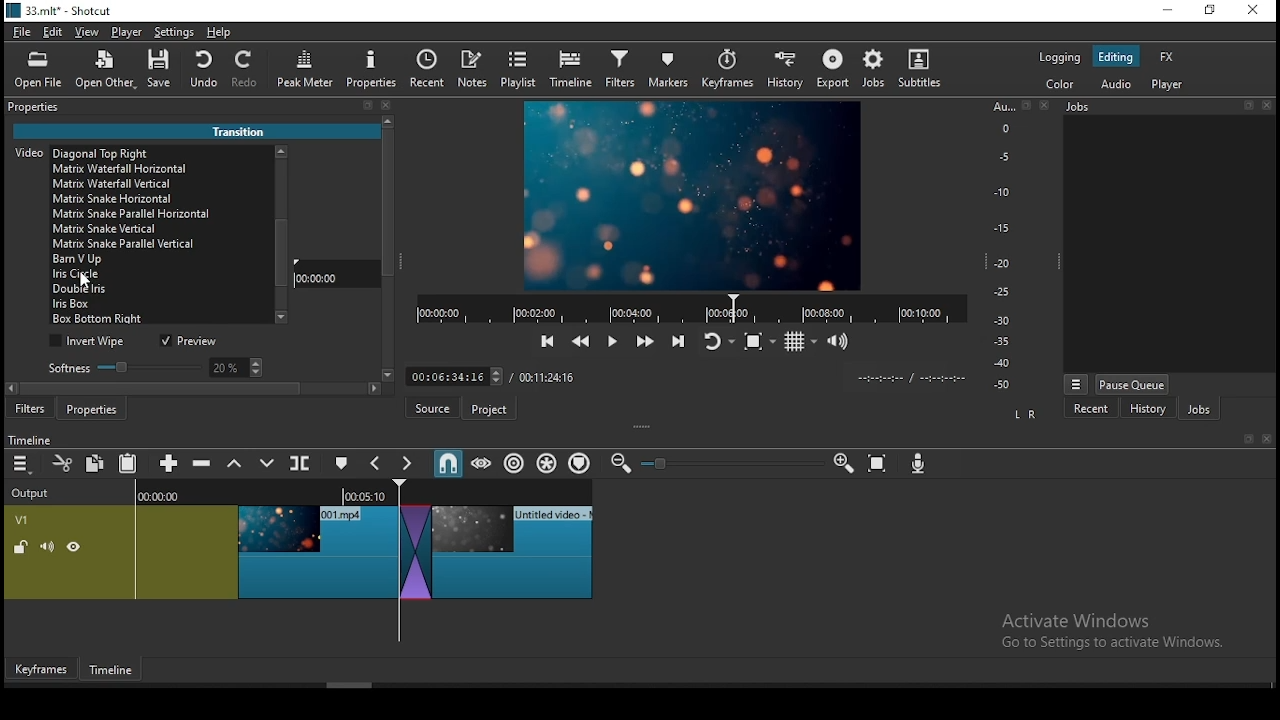 The image size is (1280, 720). I want to click on edit, so click(54, 34).